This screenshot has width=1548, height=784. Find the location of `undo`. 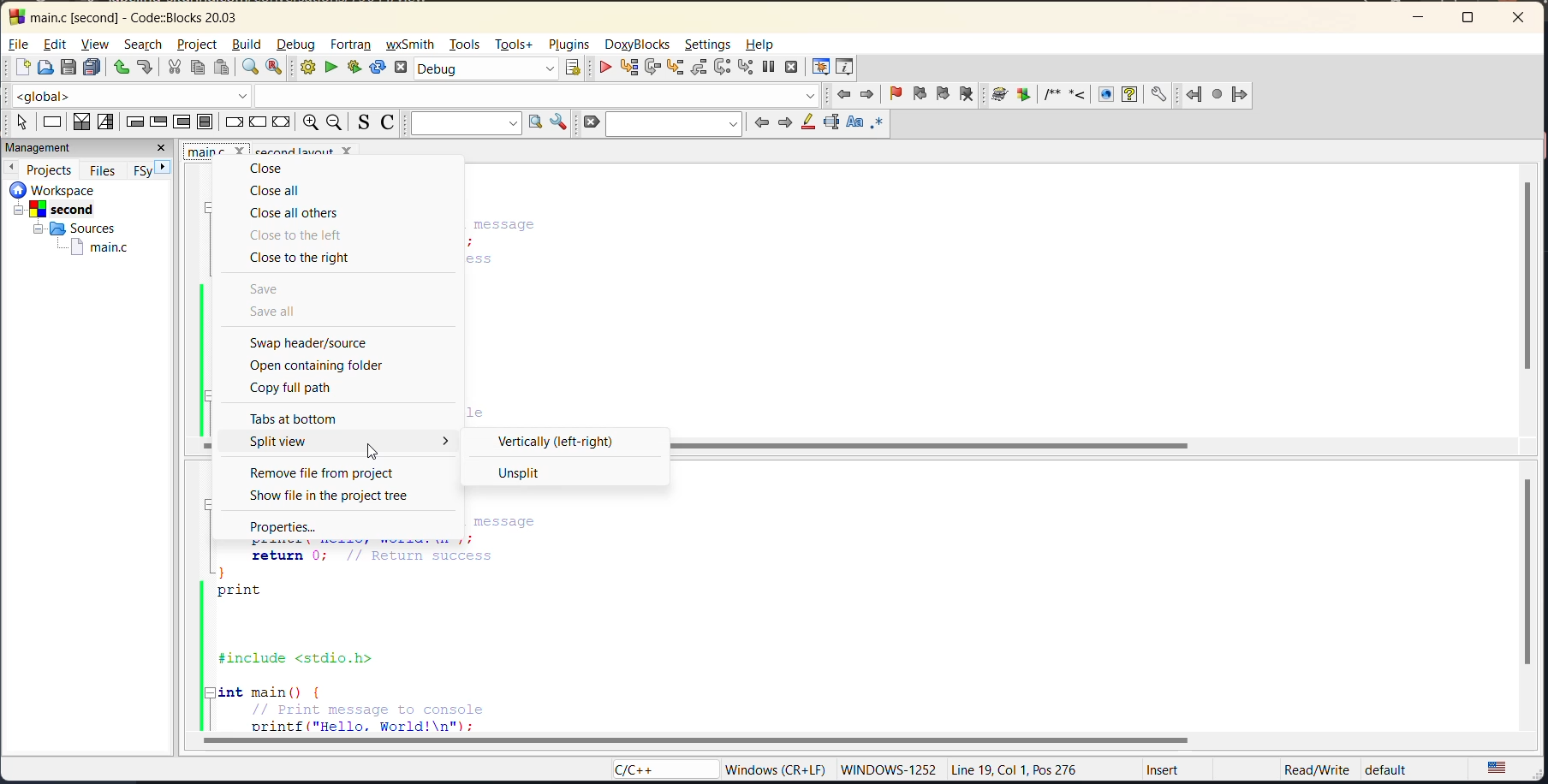

undo is located at coordinates (118, 68).